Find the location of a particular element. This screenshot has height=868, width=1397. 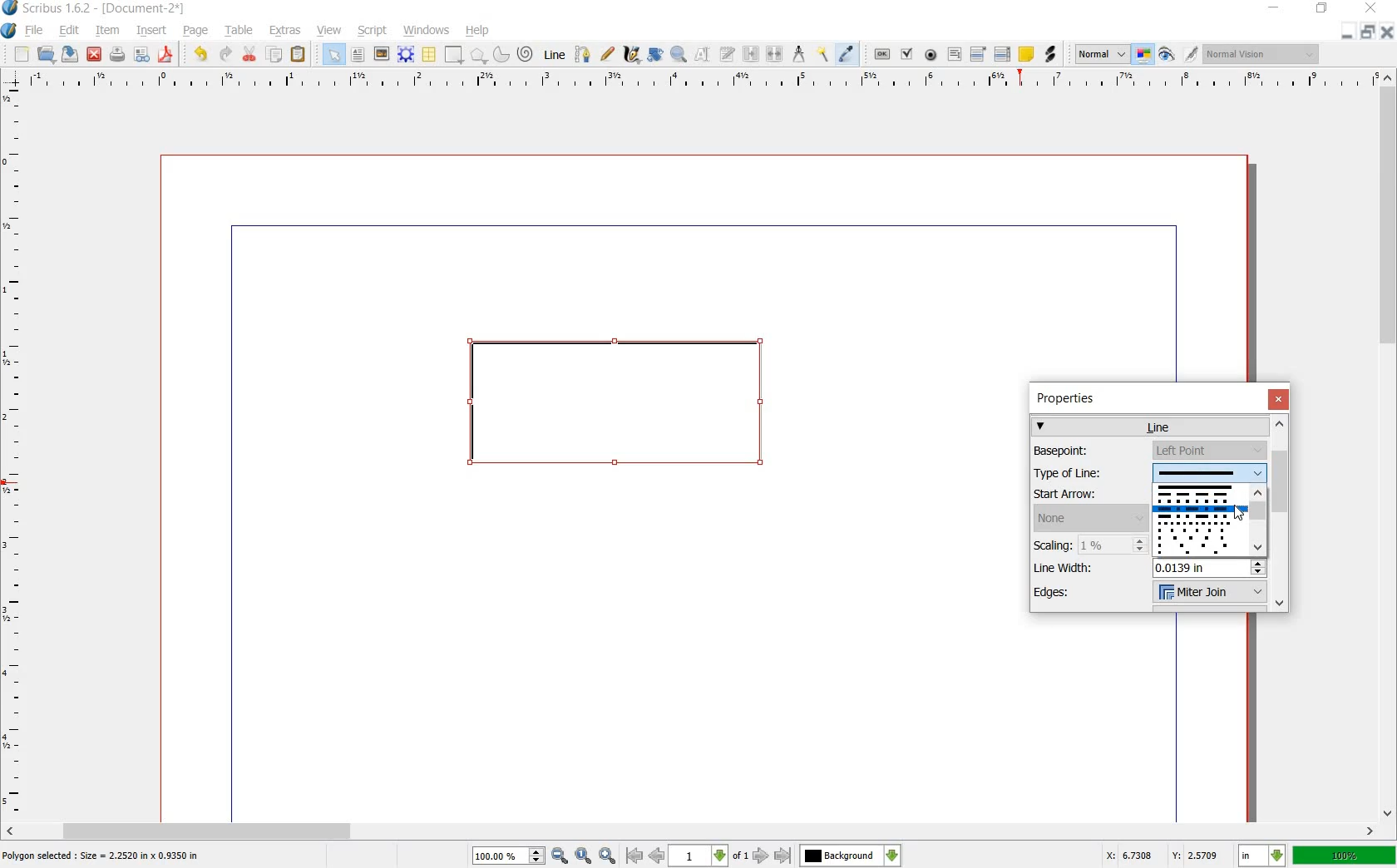

PDF LIST BOX is located at coordinates (1001, 54).